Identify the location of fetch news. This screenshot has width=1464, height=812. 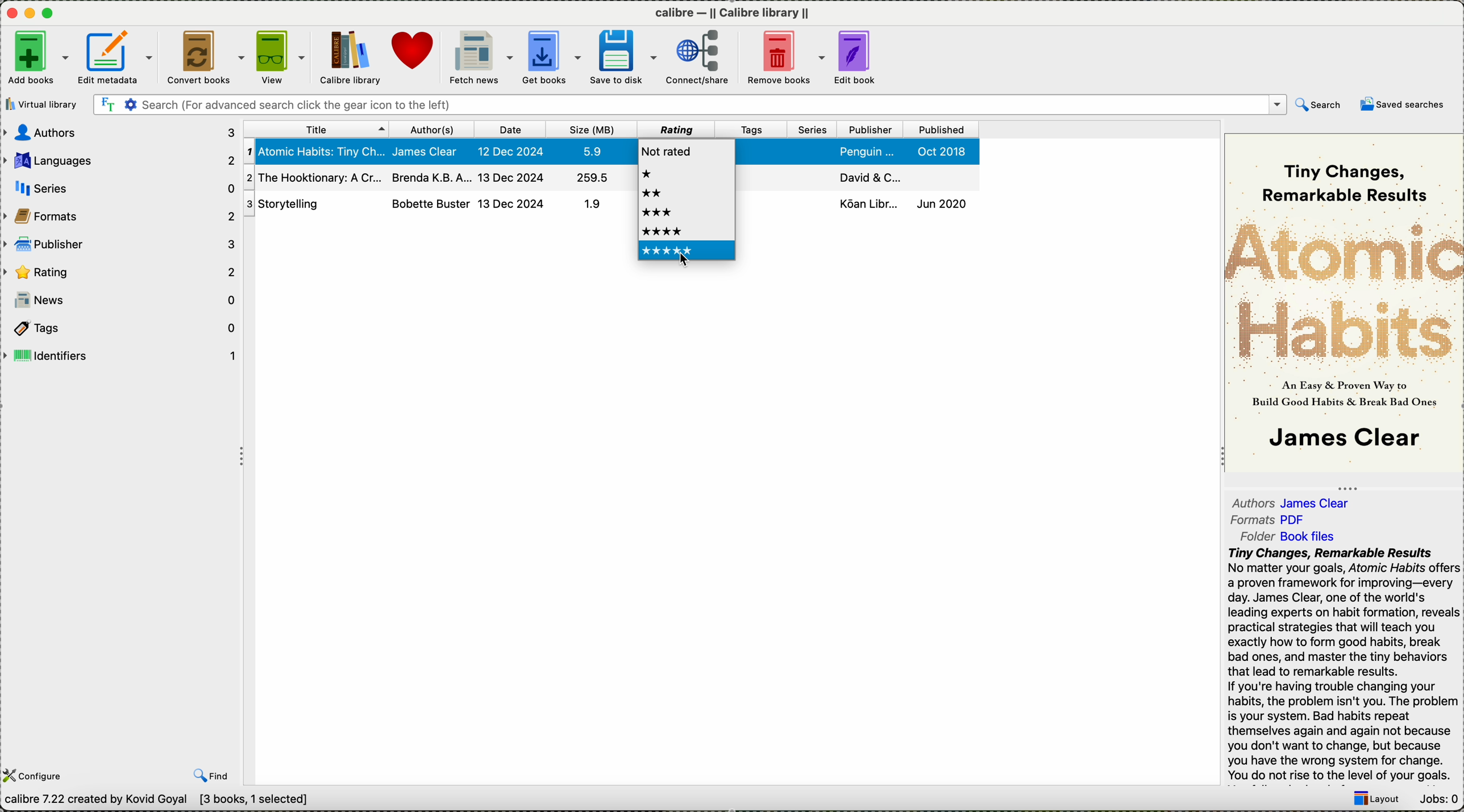
(479, 57).